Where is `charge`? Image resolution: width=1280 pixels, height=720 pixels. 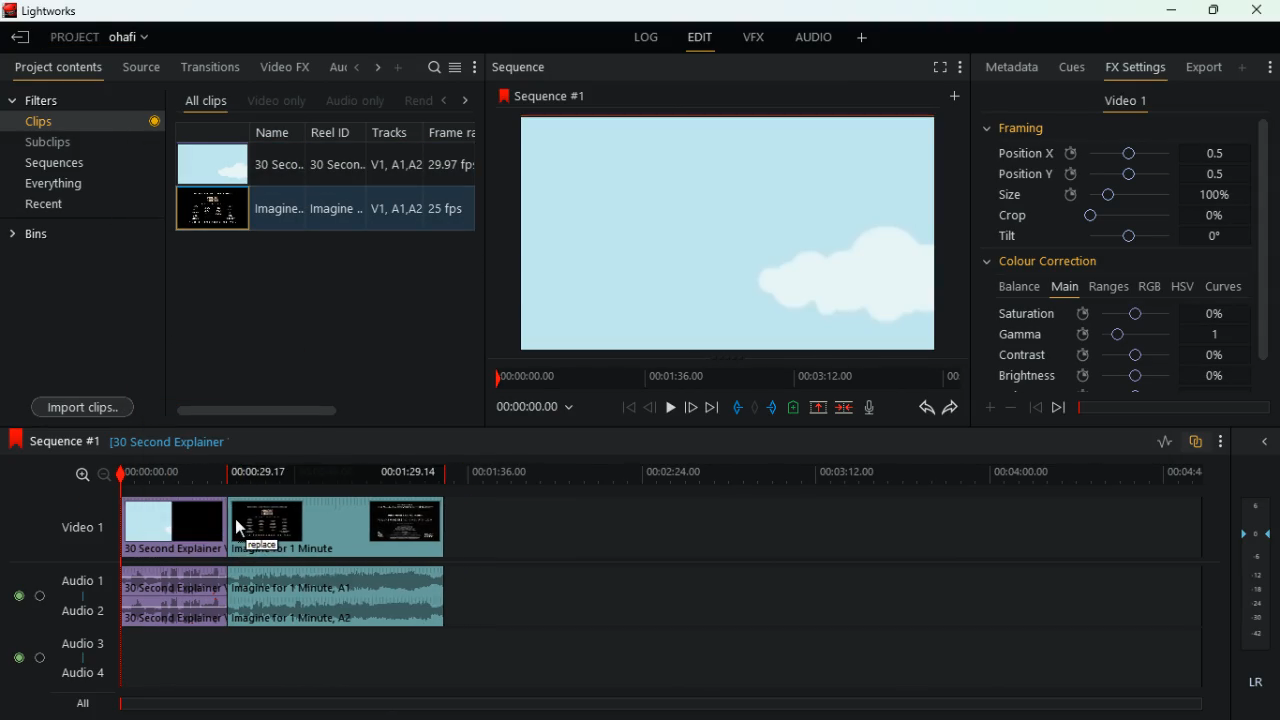
charge is located at coordinates (794, 408).